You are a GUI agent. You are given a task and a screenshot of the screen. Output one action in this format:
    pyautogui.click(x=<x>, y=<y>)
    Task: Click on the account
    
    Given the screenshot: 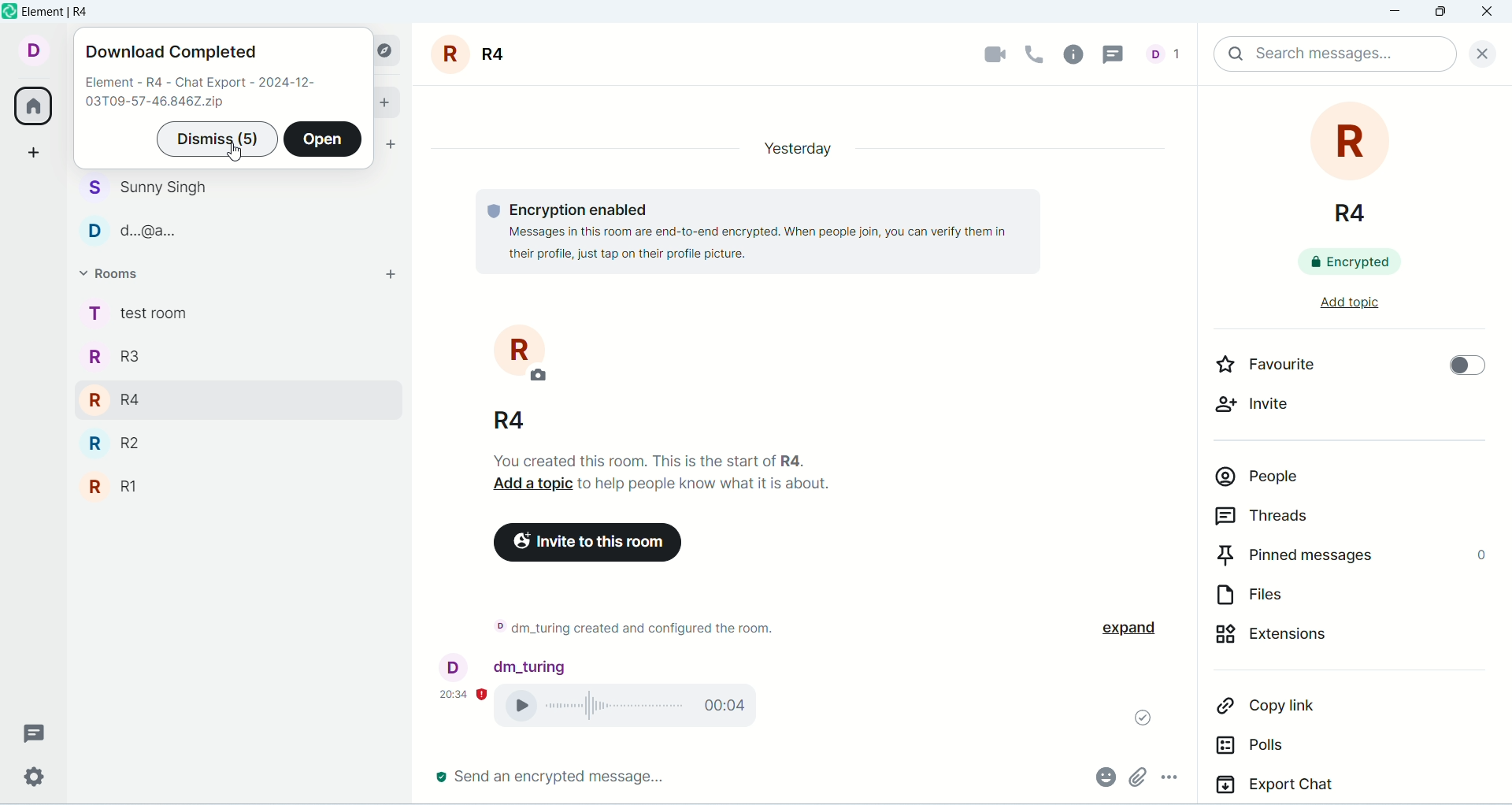 What is the action you would take?
    pyautogui.click(x=505, y=665)
    